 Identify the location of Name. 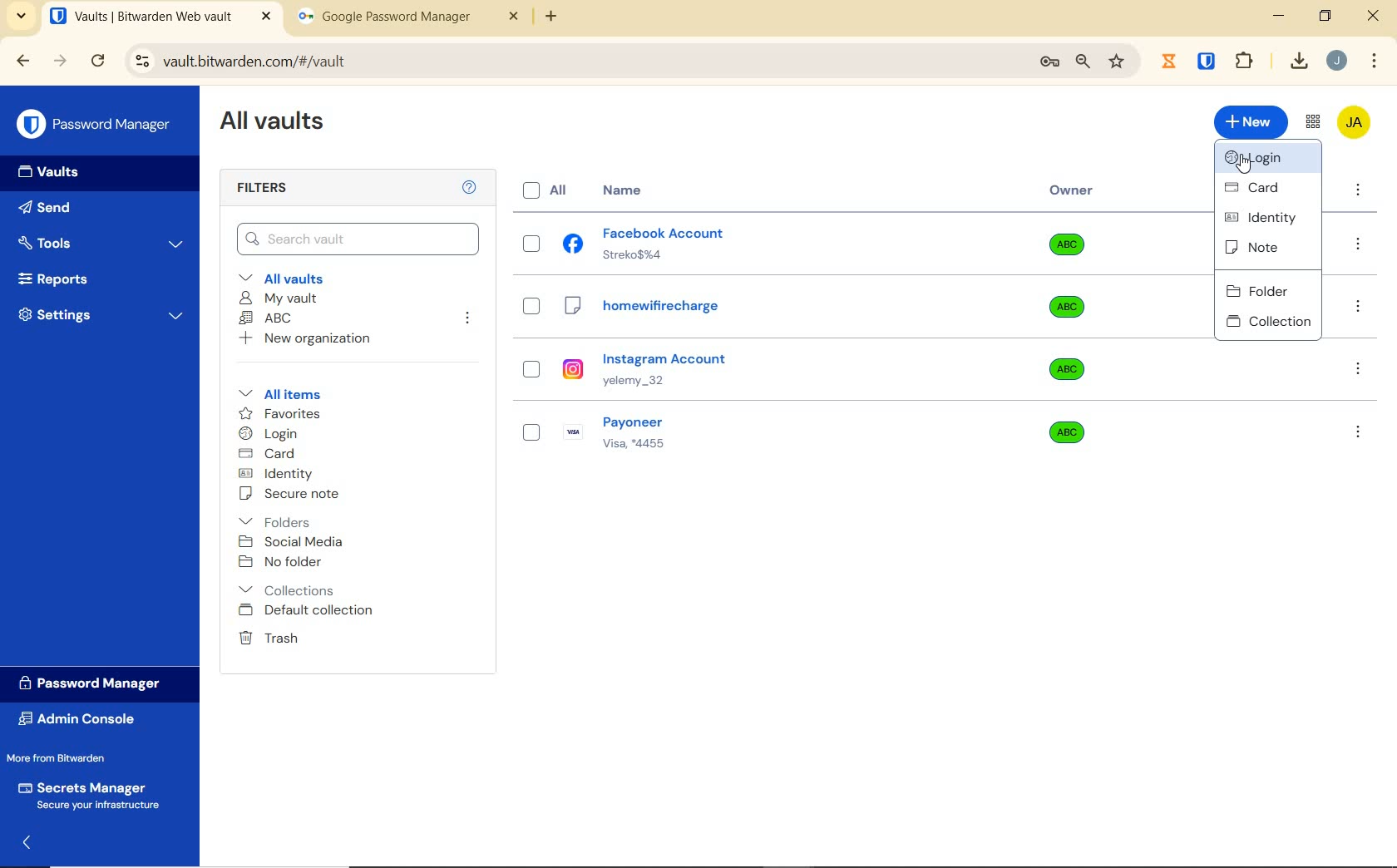
(628, 191).